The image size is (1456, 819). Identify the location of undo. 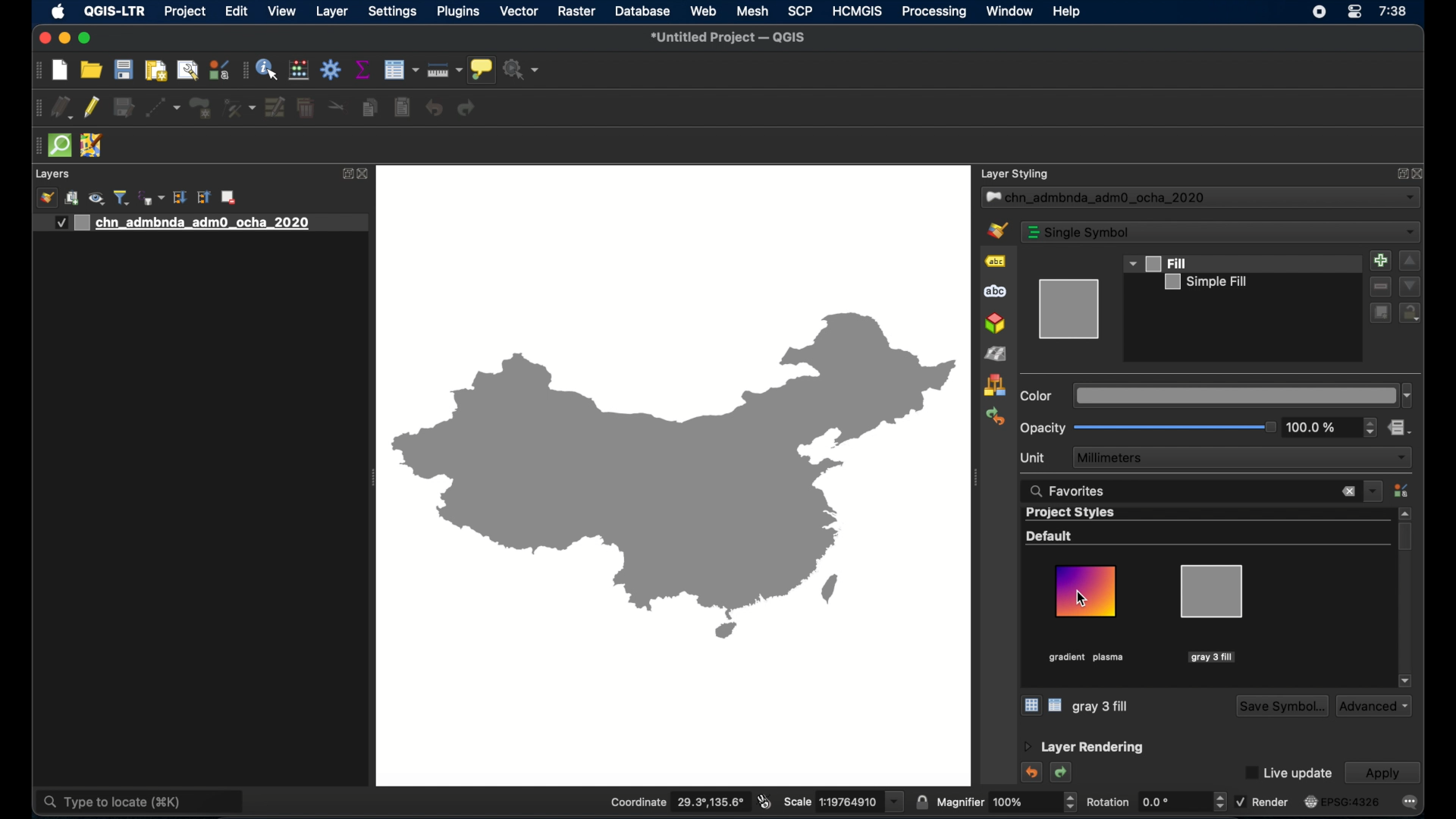
(1034, 773).